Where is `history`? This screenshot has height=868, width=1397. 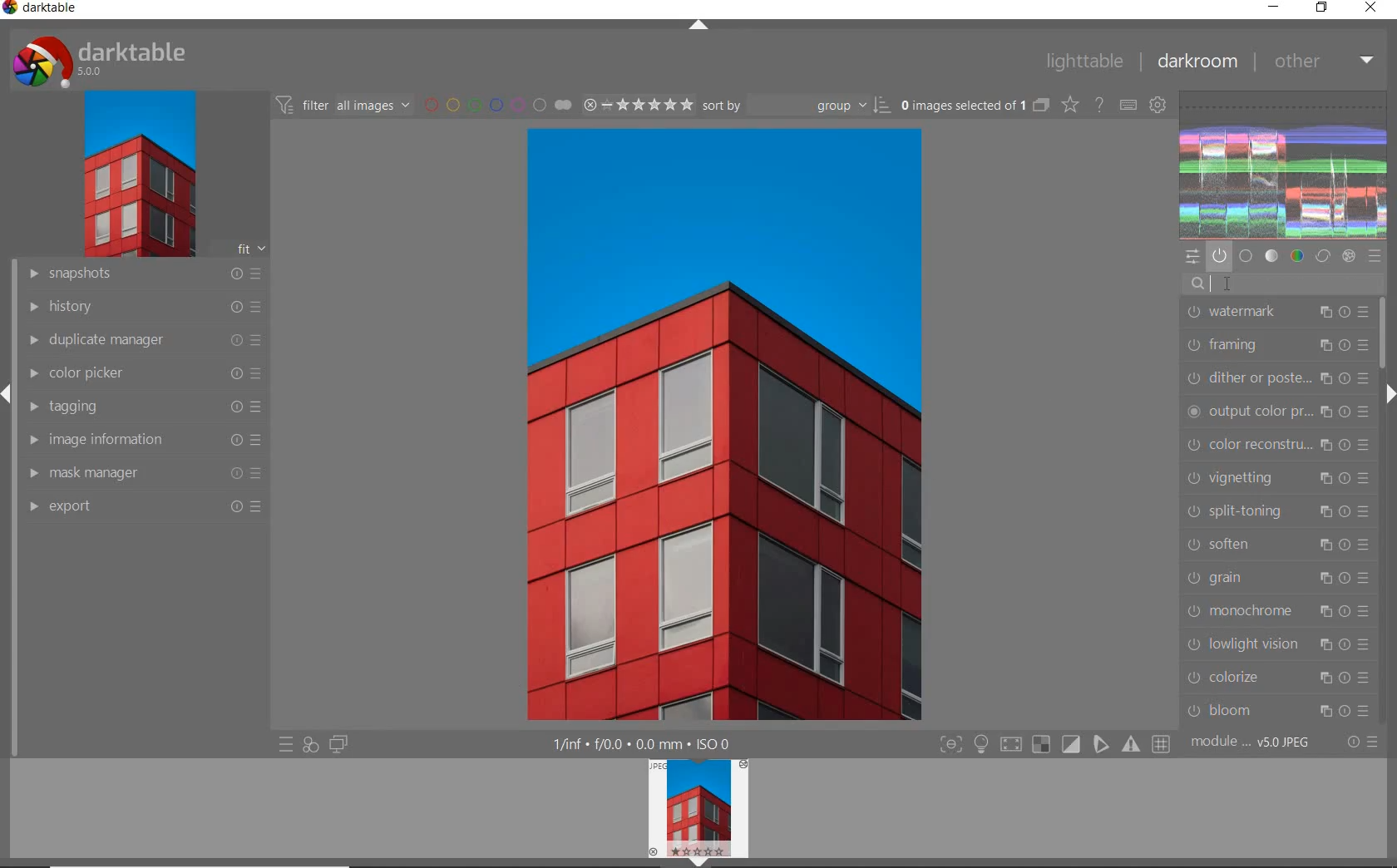
history is located at coordinates (143, 306).